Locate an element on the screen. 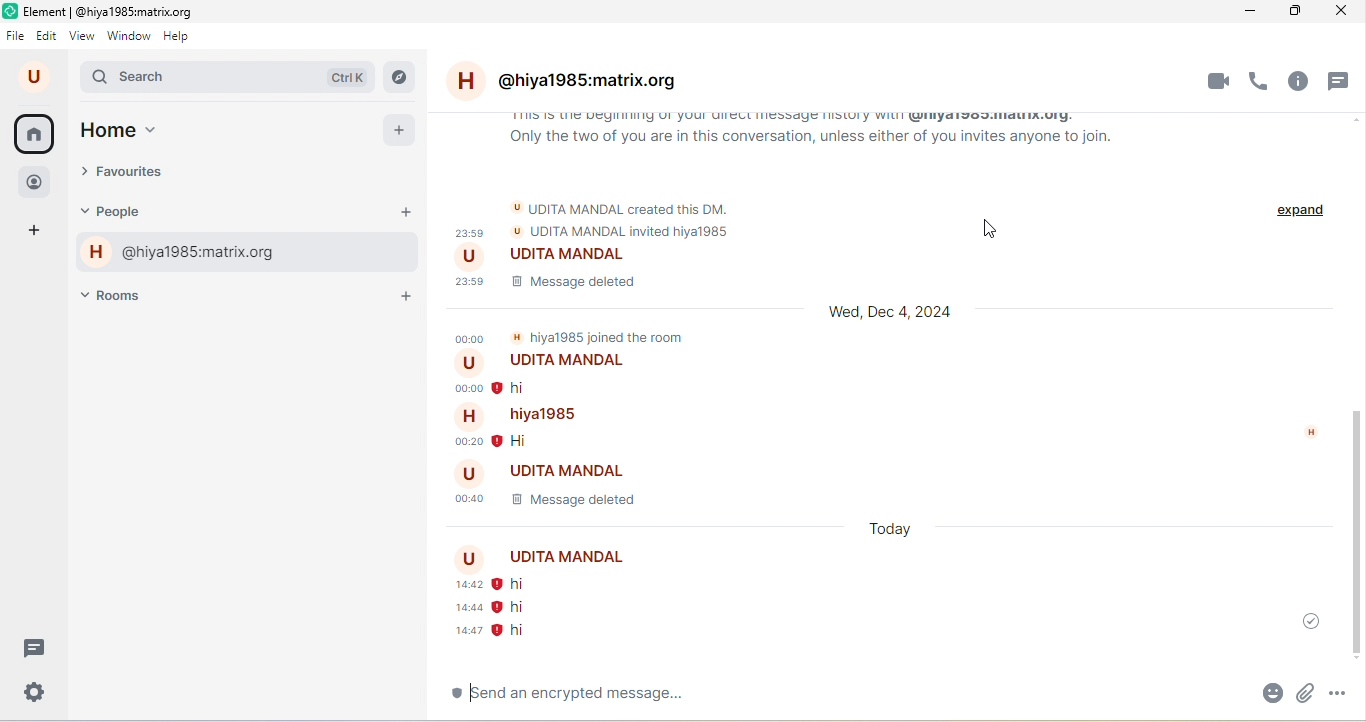 Image resolution: width=1366 pixels, height=722 pixels. minimize is located at coordinates (1240, 12).